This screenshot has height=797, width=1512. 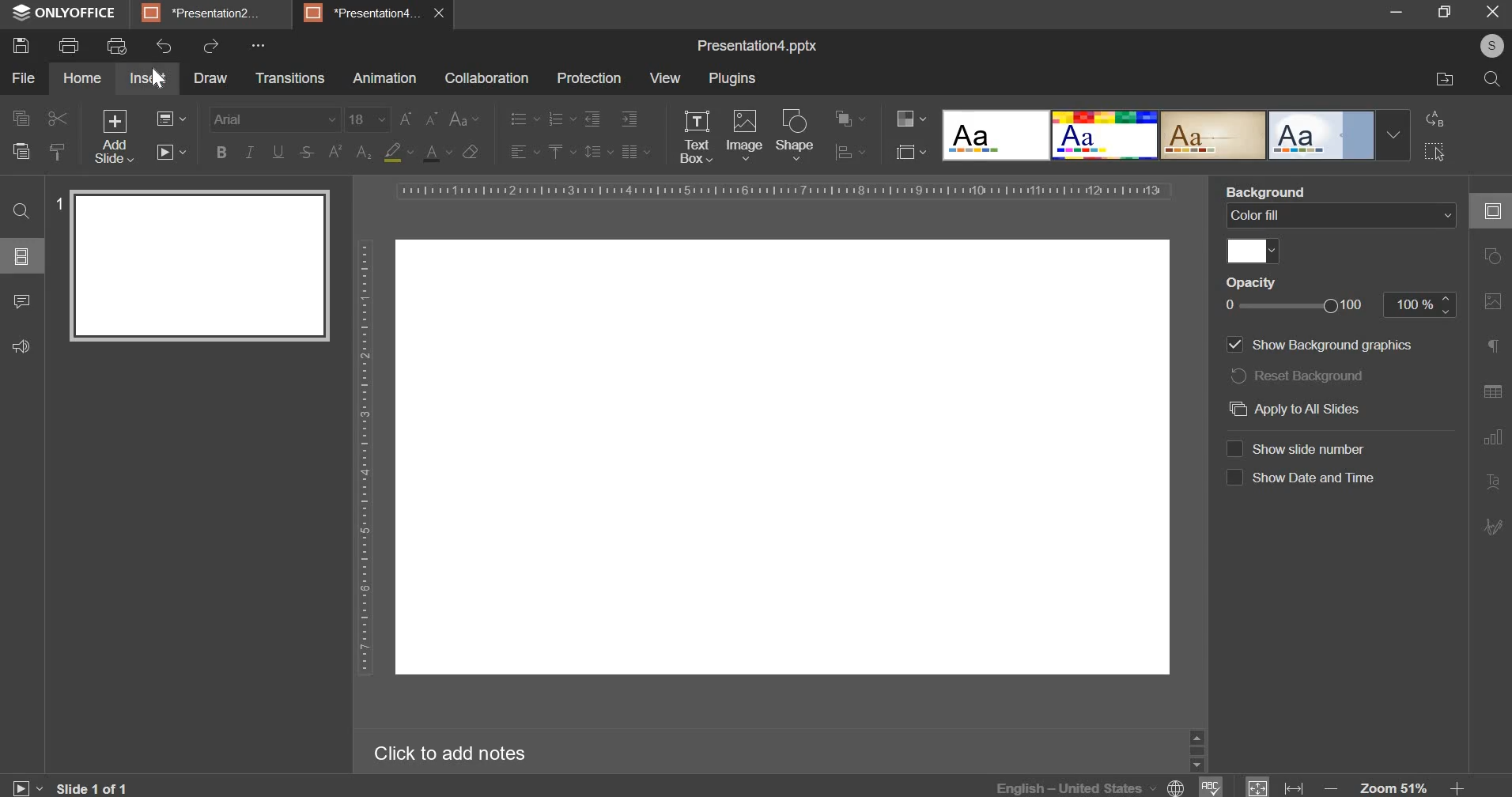 What do you see at coordinates (23, 346) in the screenshot?
I see `feedback & support` at bounding box center [23, 346].